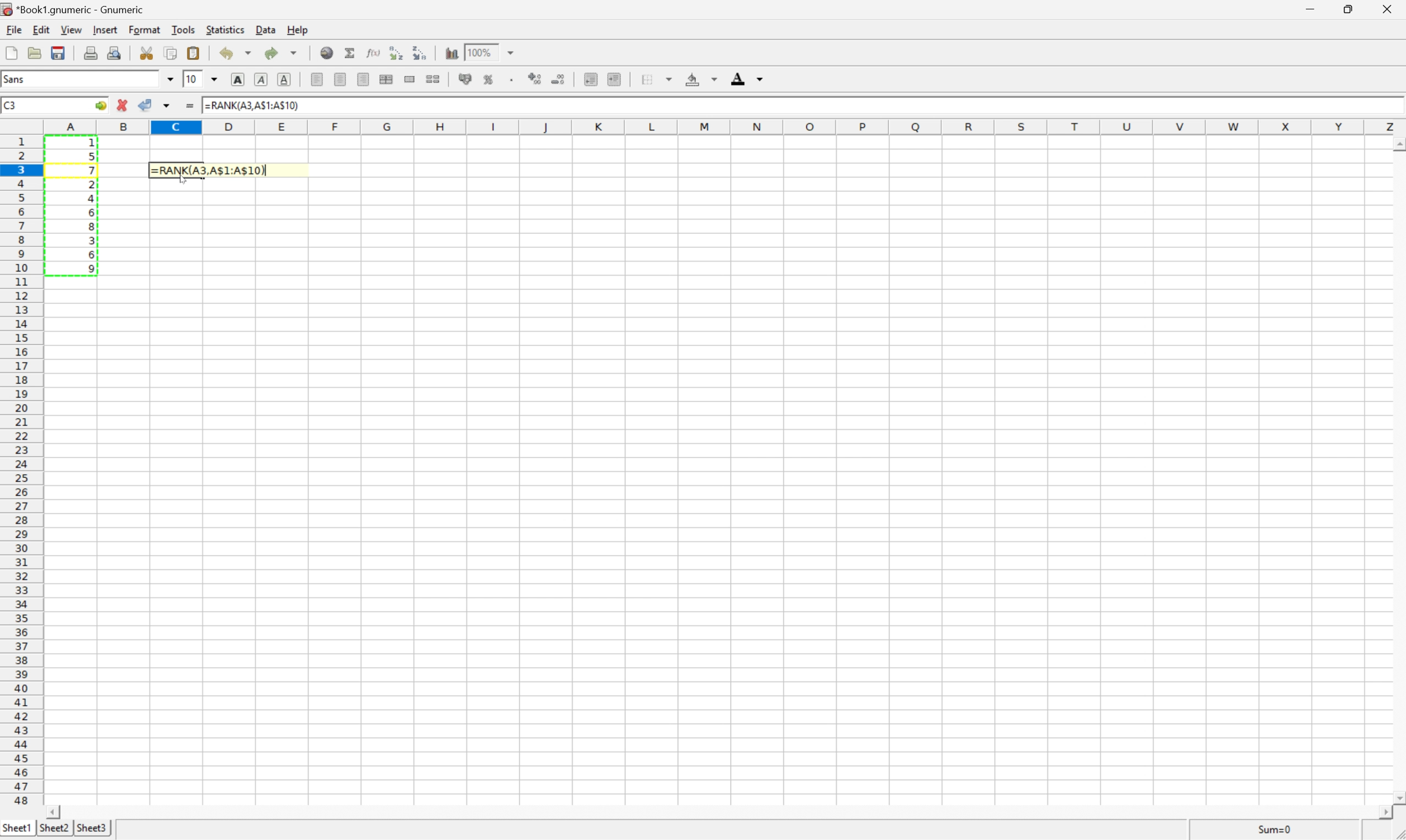  I want to click on C3, so click(17, 104).